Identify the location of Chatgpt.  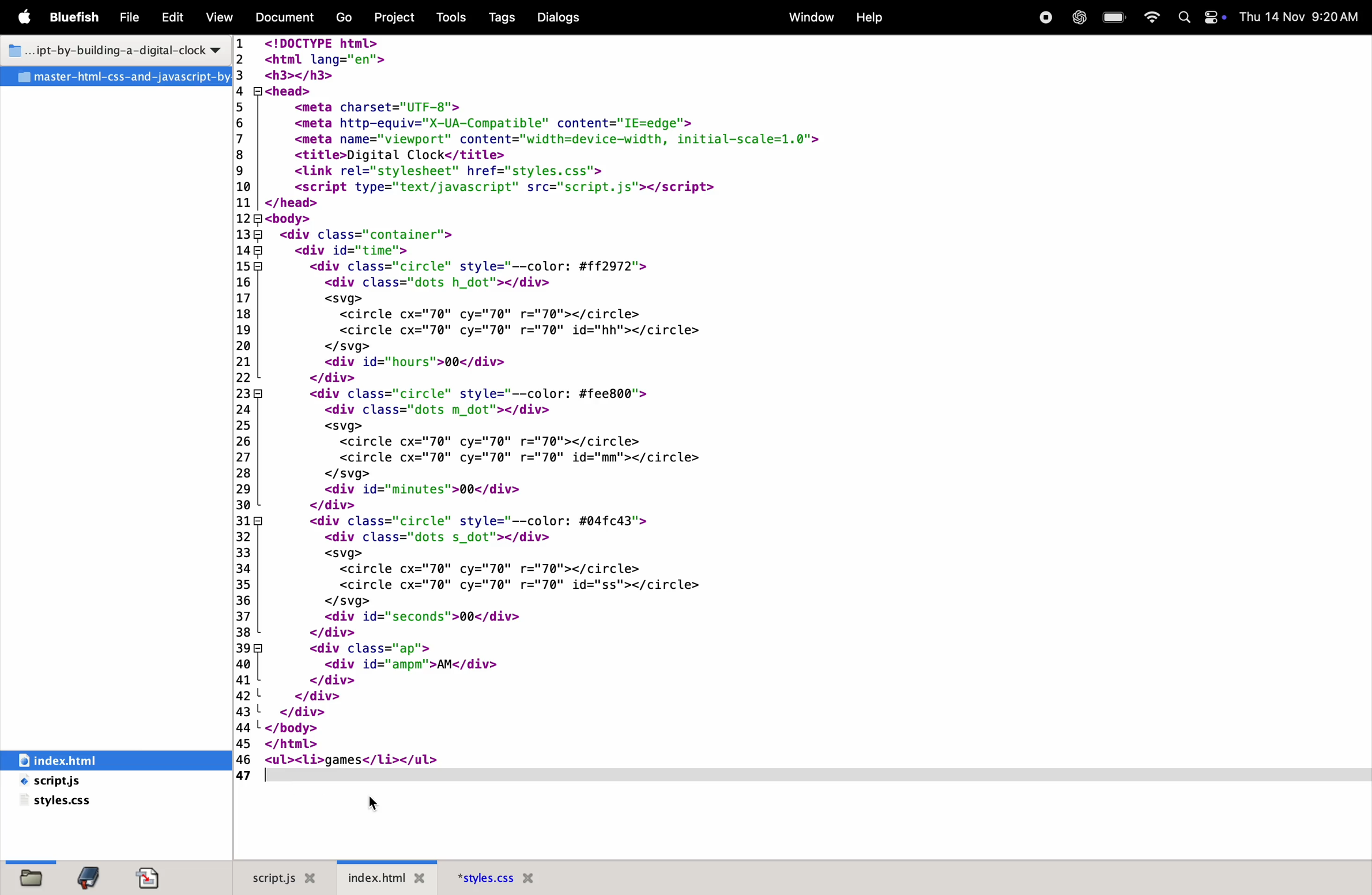
(1076, 18).